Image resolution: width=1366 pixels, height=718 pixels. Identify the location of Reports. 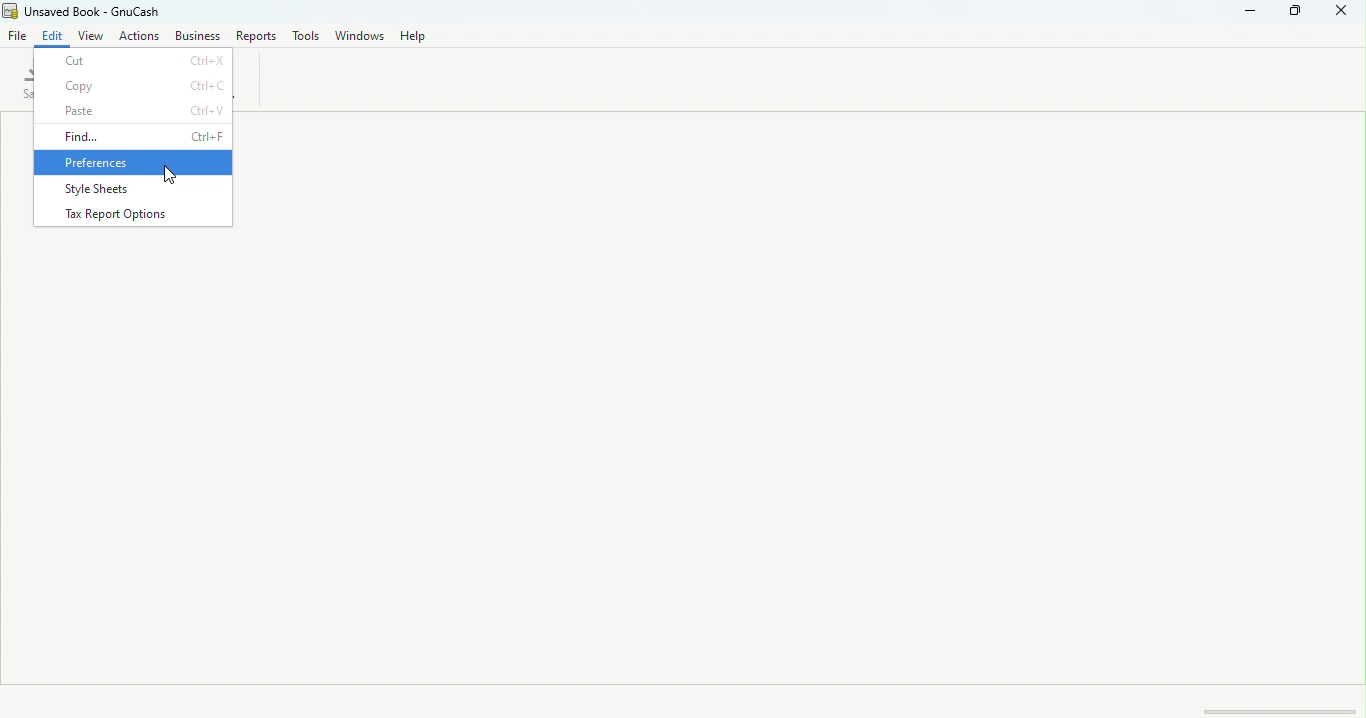
(256, 35).